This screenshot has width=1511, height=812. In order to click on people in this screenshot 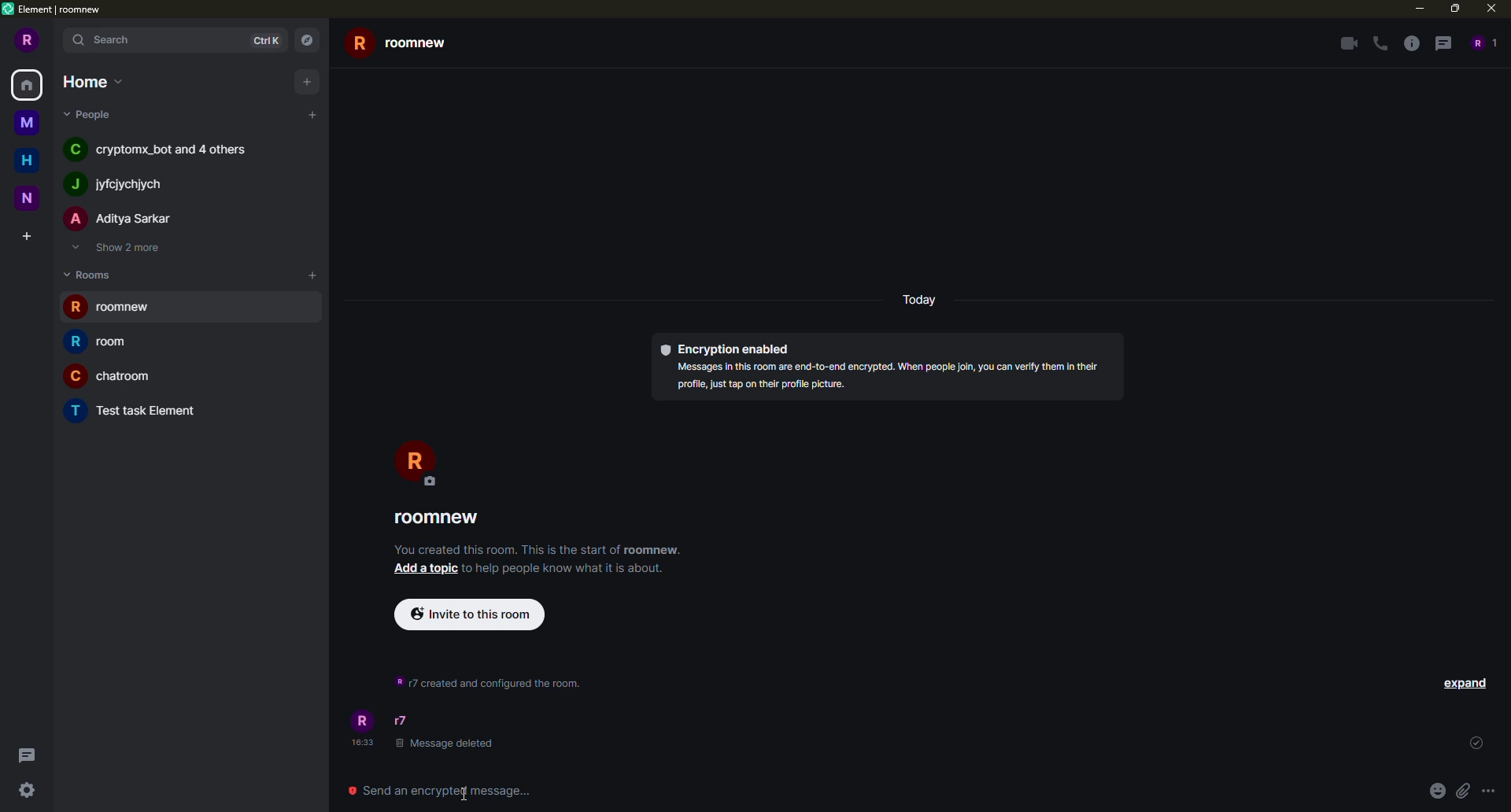, I will do `click(122, 219)`.